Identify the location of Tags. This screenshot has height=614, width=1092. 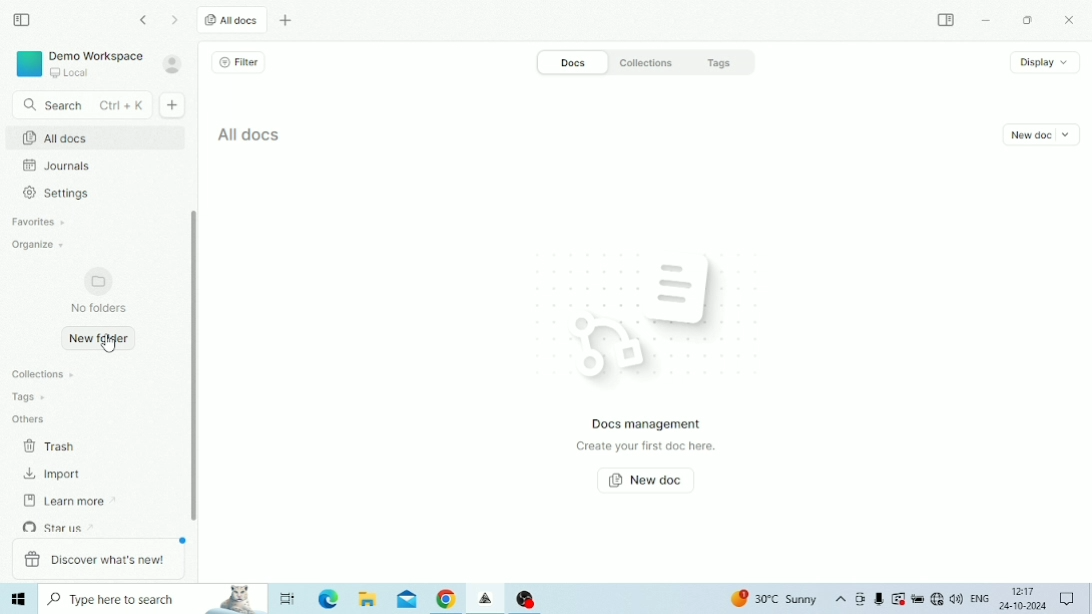
(31, 396).